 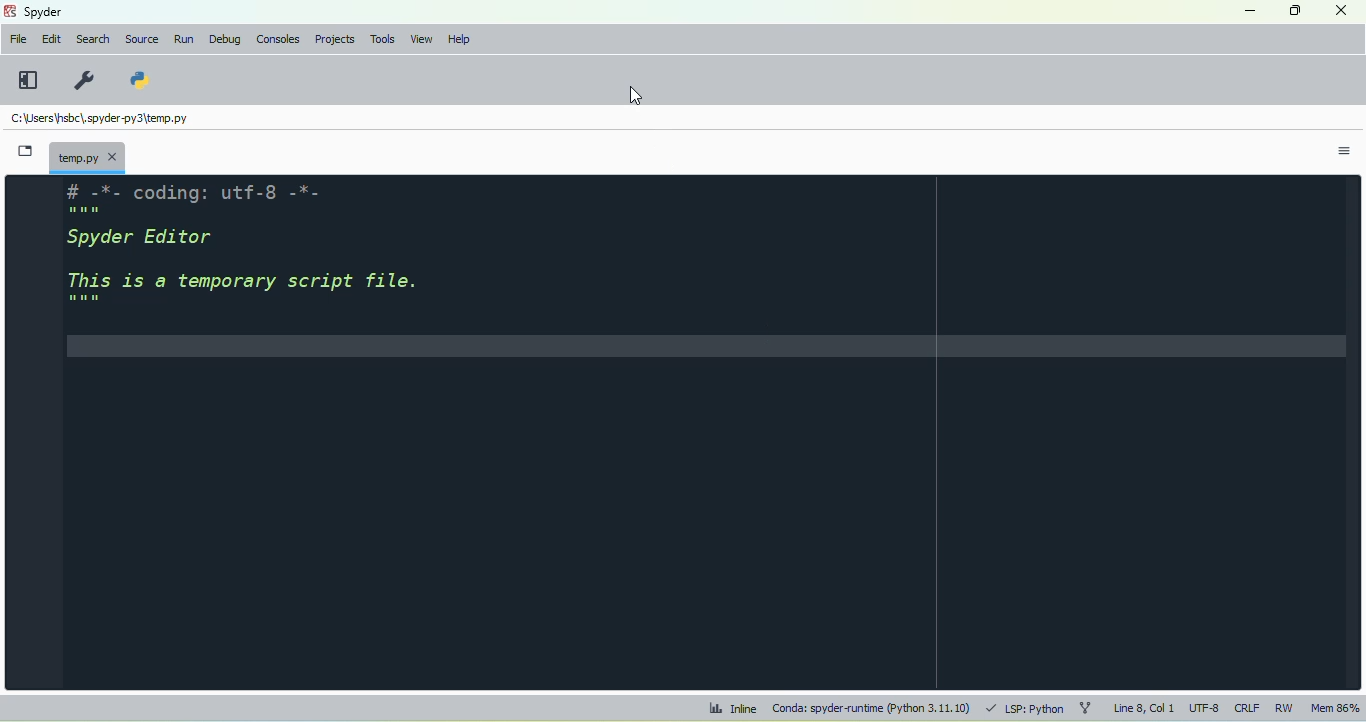 I want to click on PYTHONPATH manager, so click(x=142, y=78).